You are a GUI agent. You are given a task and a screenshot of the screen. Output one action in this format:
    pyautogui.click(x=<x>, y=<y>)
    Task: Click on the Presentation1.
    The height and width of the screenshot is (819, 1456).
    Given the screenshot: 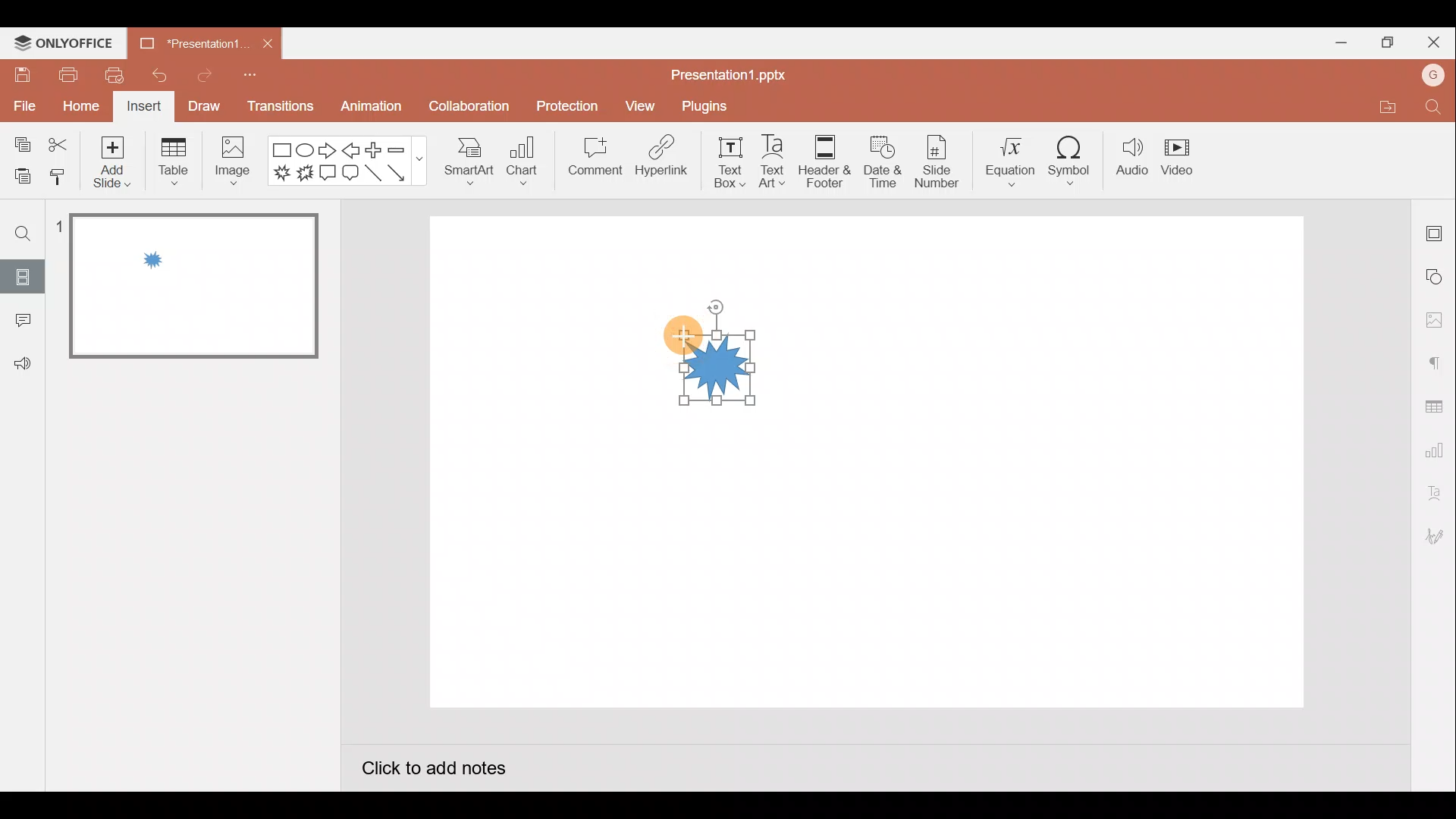 What is the action you would take?
    pyautogui.click(x=190, y=41)
    